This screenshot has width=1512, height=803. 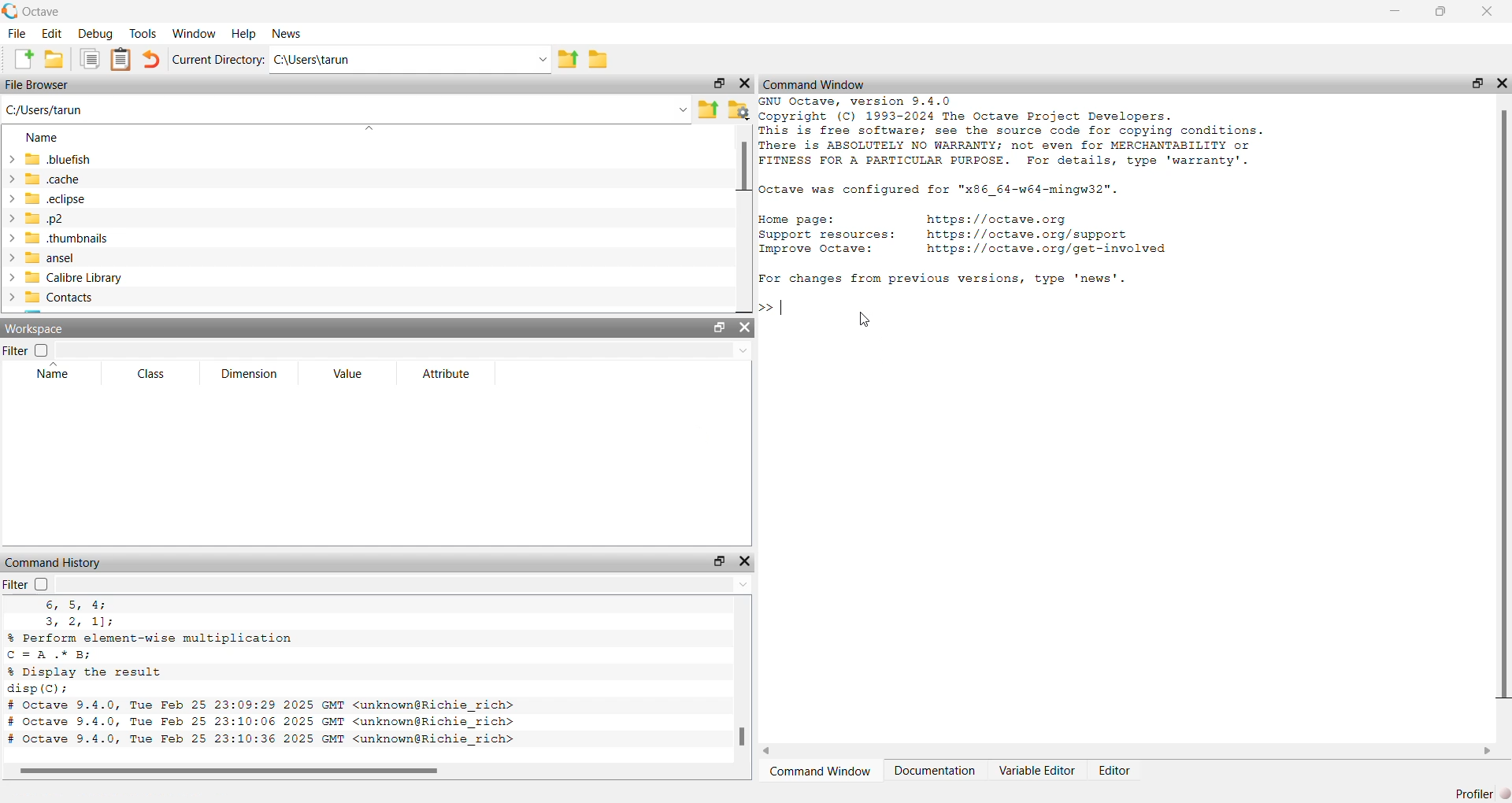 What do you see at coordinates (90, 58) in the screenshot?
I see `Documents` at bounding box center [90, 58].